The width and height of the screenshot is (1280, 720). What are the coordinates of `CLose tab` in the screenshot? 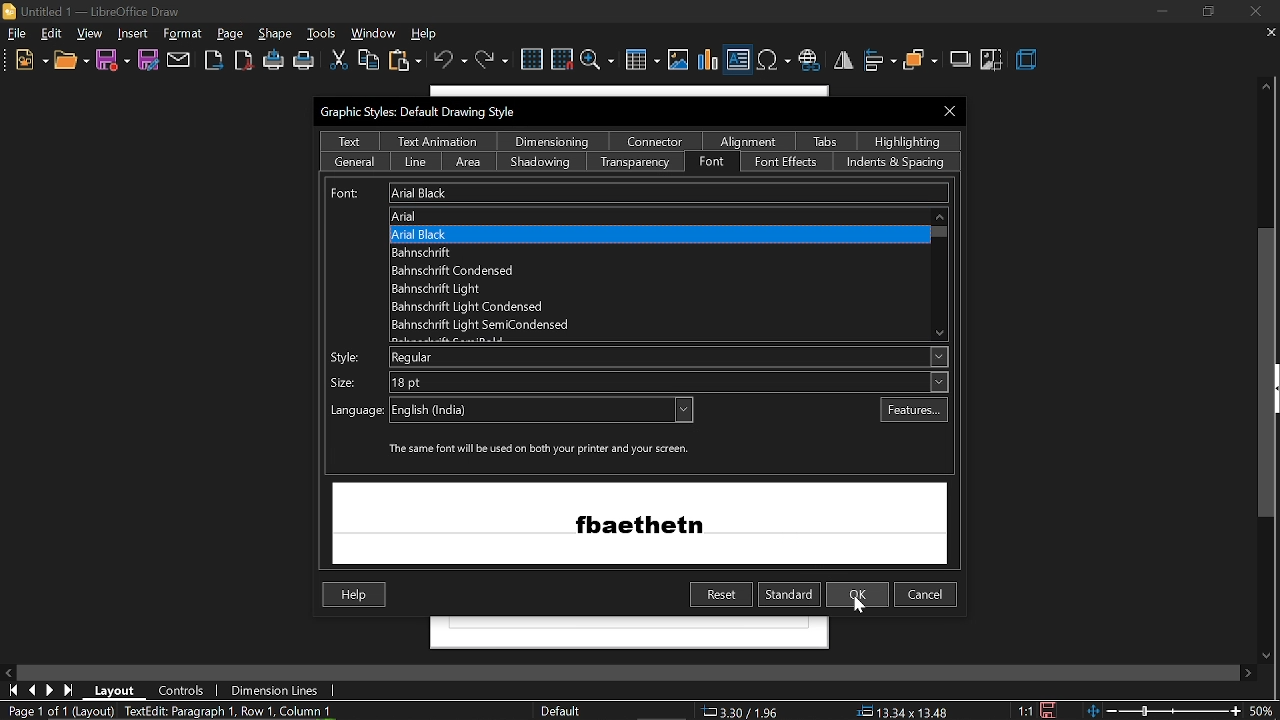 It's located at (1270, 33).